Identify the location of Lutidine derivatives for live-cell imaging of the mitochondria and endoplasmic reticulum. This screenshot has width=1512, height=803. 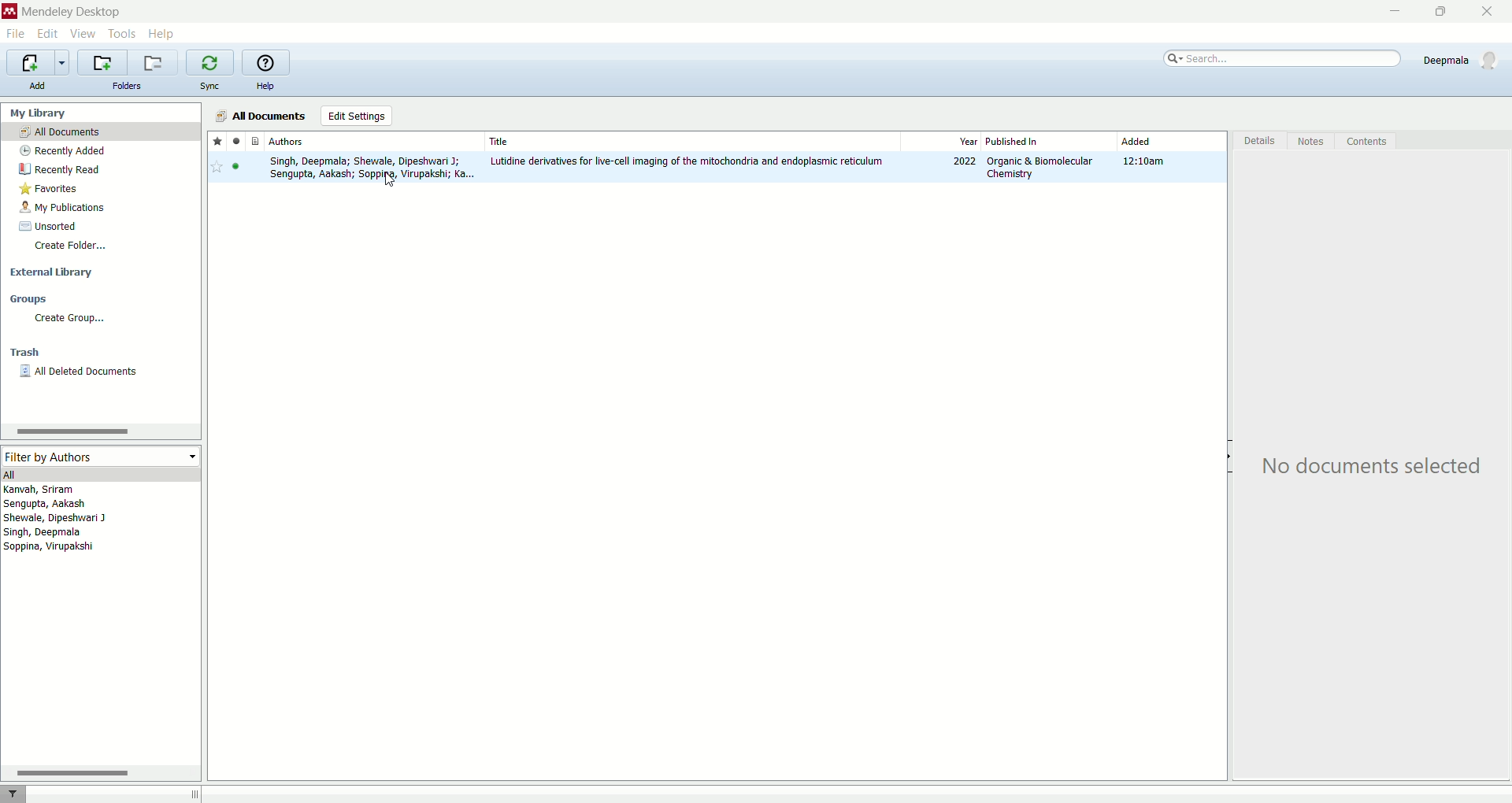
(688, 161).